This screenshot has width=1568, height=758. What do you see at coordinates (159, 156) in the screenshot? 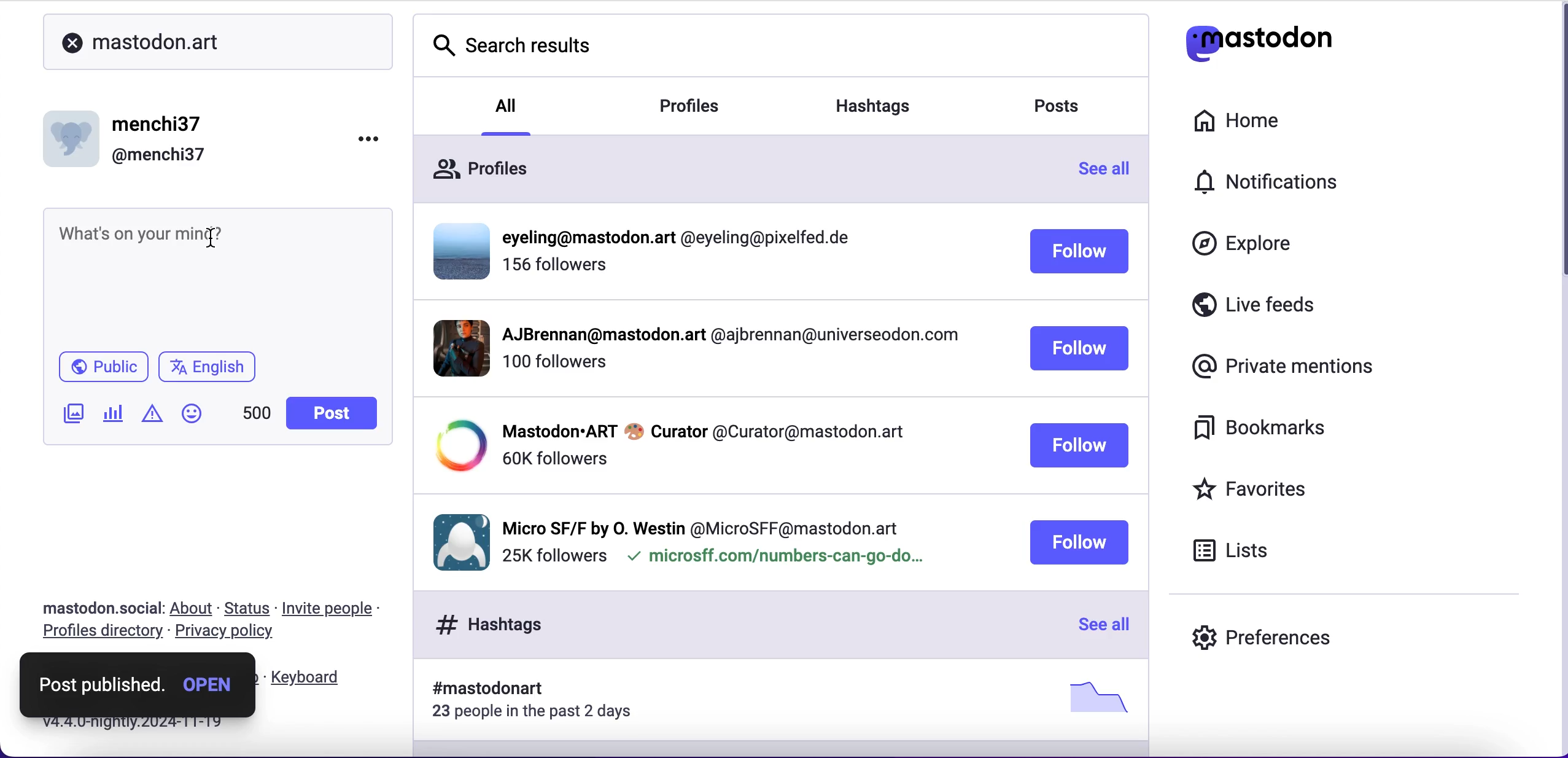
I see `@menchi37` at bounding box center [159, 156].